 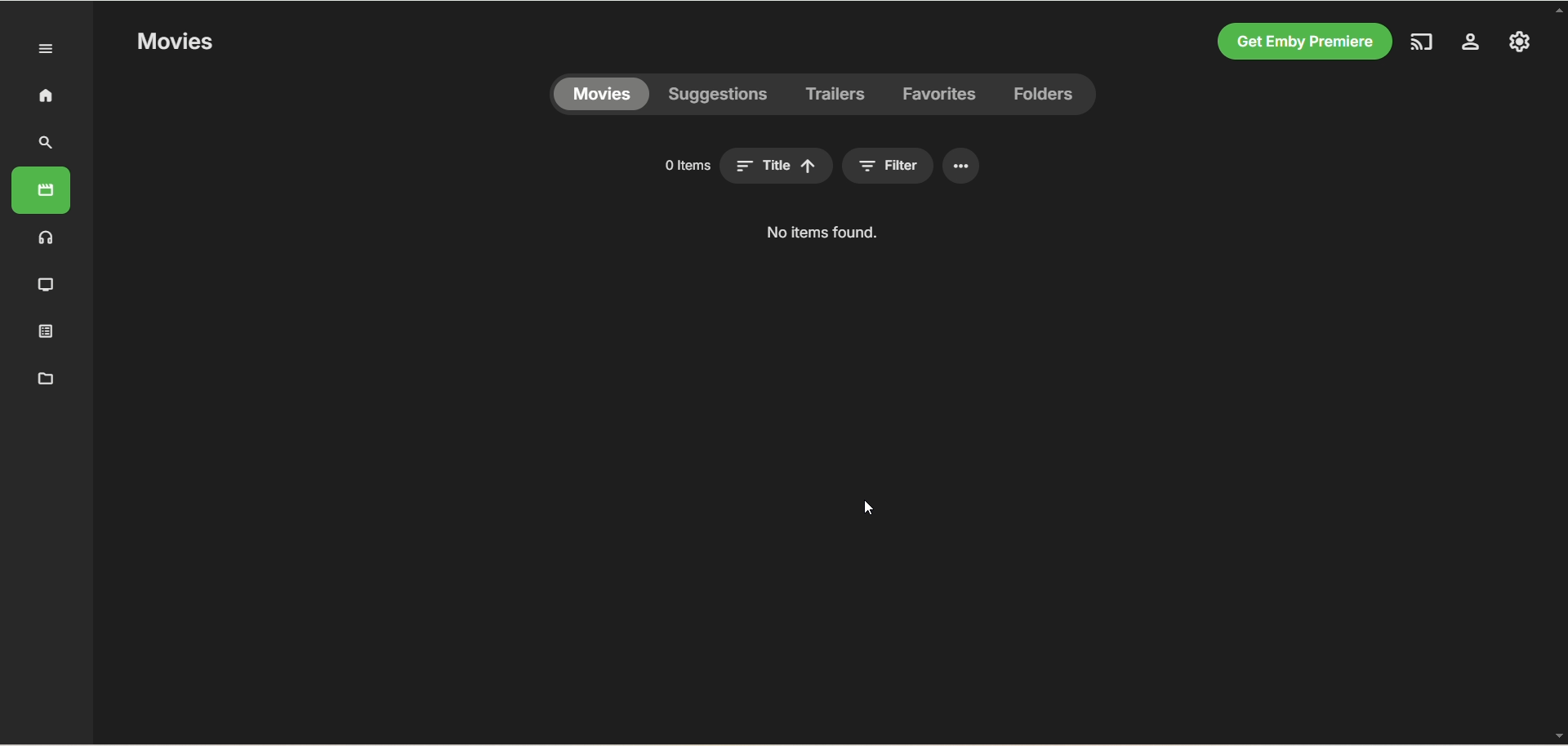 I want to click on favorites, so click(x=940, y=95).